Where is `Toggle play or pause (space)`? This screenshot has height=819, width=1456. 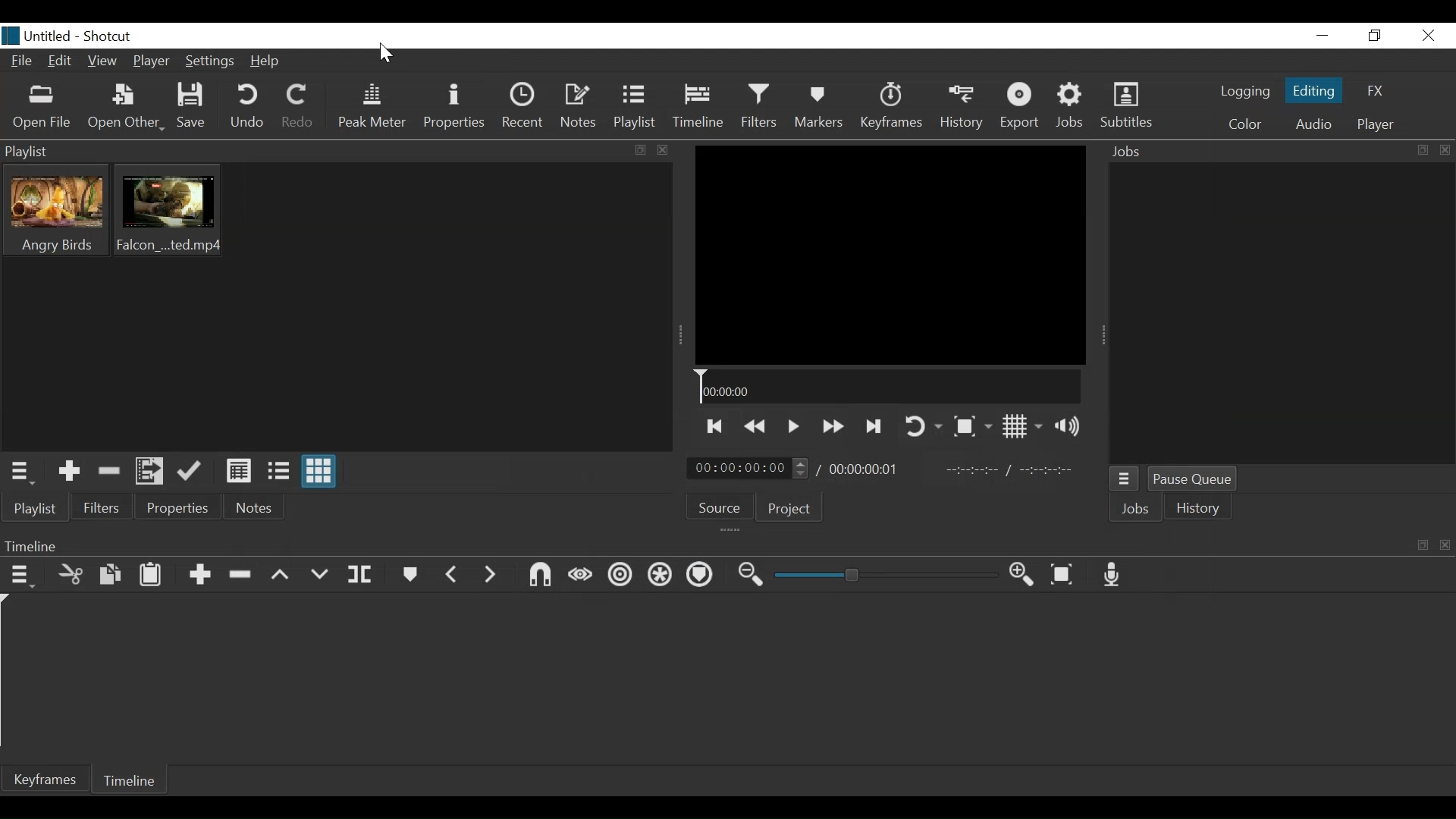
Toggle play or pause (space) is located at coordinates (794, 427).